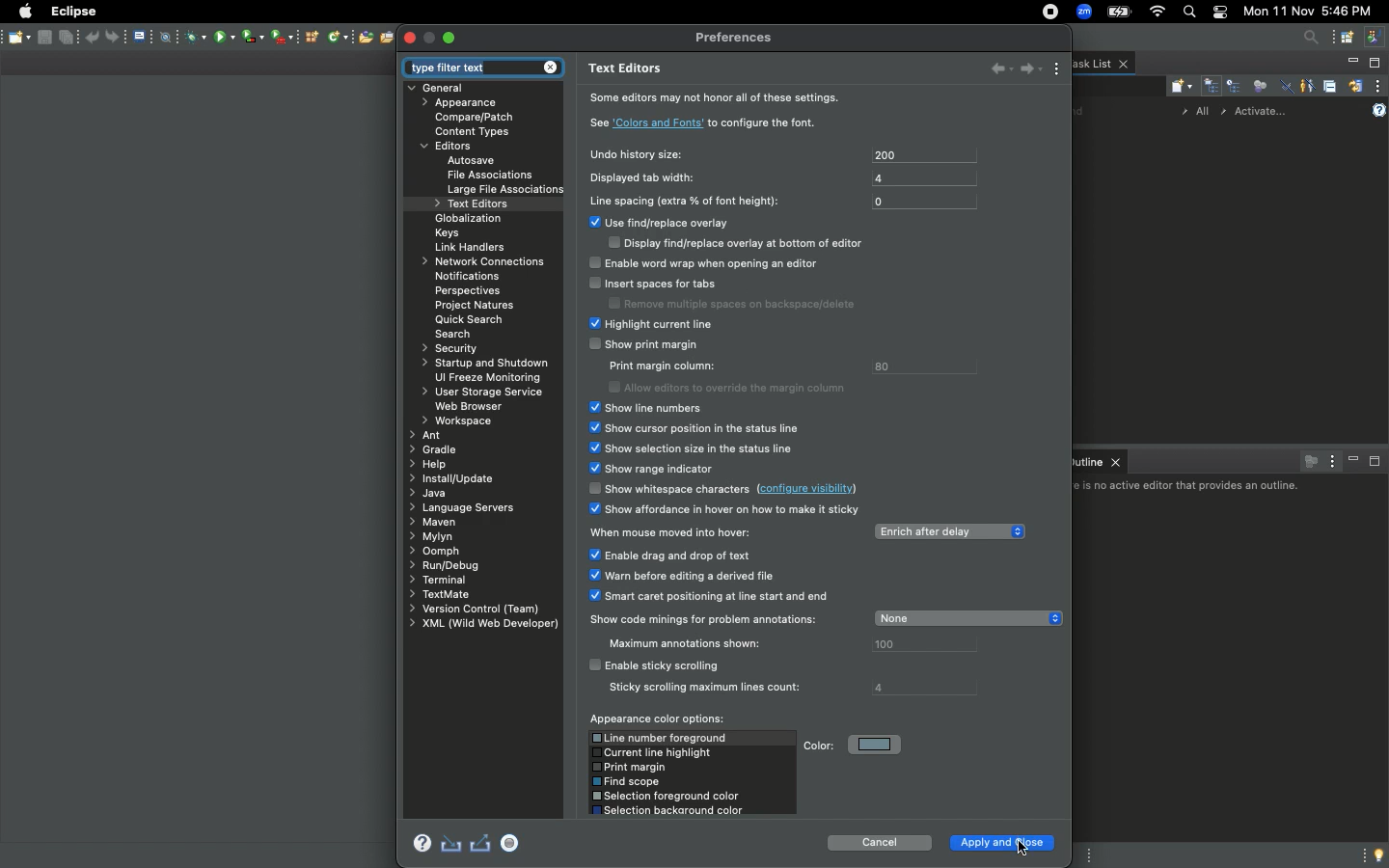 The height and width of the screenshot is (868, 1389). Describe the element at coordinates (1259, 84) in the screenshot. I see `Focus on workweek` at that location.